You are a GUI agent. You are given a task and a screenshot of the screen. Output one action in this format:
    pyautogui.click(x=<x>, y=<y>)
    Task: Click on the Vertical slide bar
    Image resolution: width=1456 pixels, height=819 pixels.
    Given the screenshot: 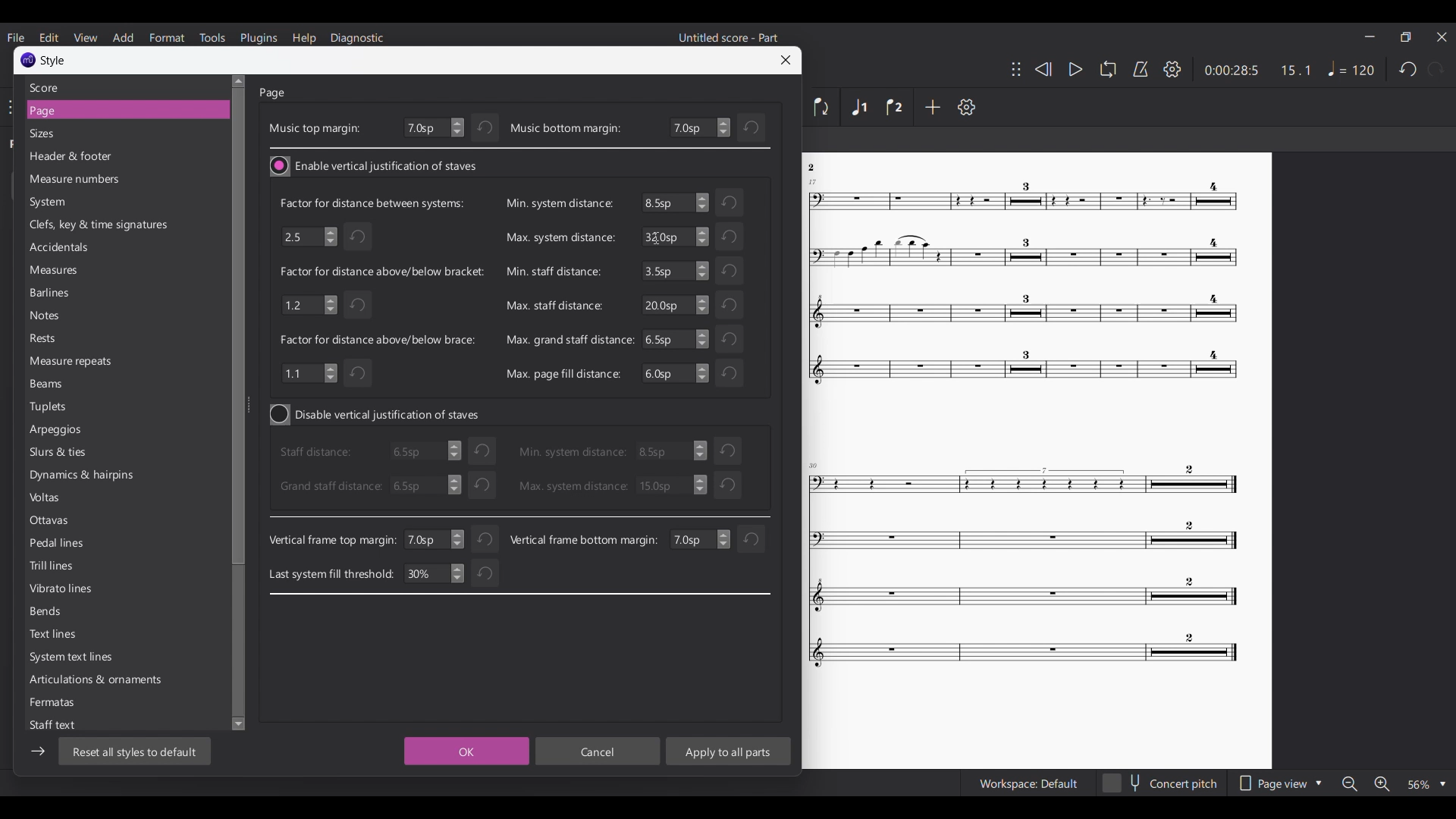 What is the action you would take?
    pyautogui.click(x=238, y=403)
    